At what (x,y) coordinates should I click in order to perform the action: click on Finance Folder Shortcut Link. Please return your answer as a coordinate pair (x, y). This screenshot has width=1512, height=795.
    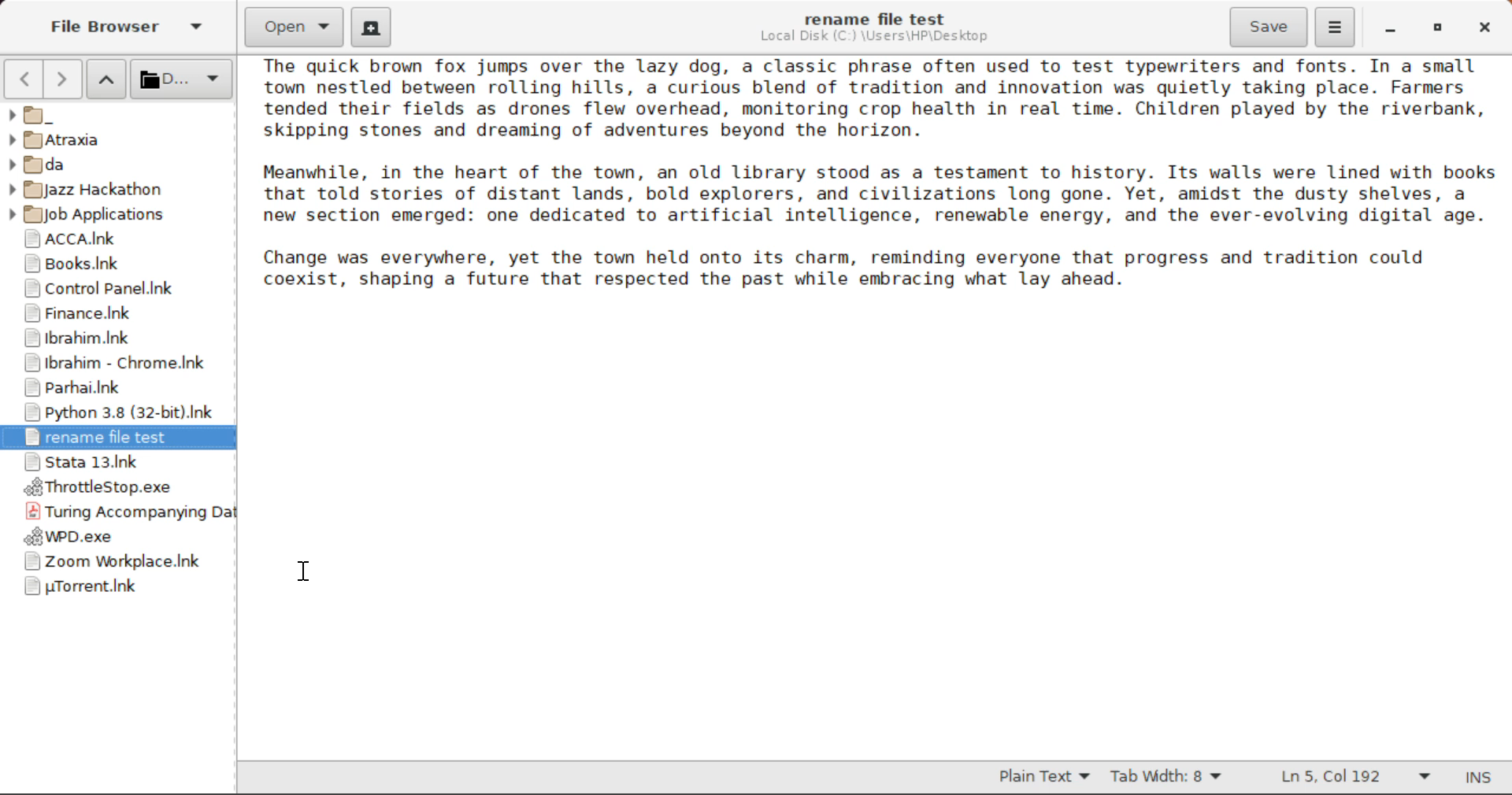
    Looking at the image, I should click on (114, 314).